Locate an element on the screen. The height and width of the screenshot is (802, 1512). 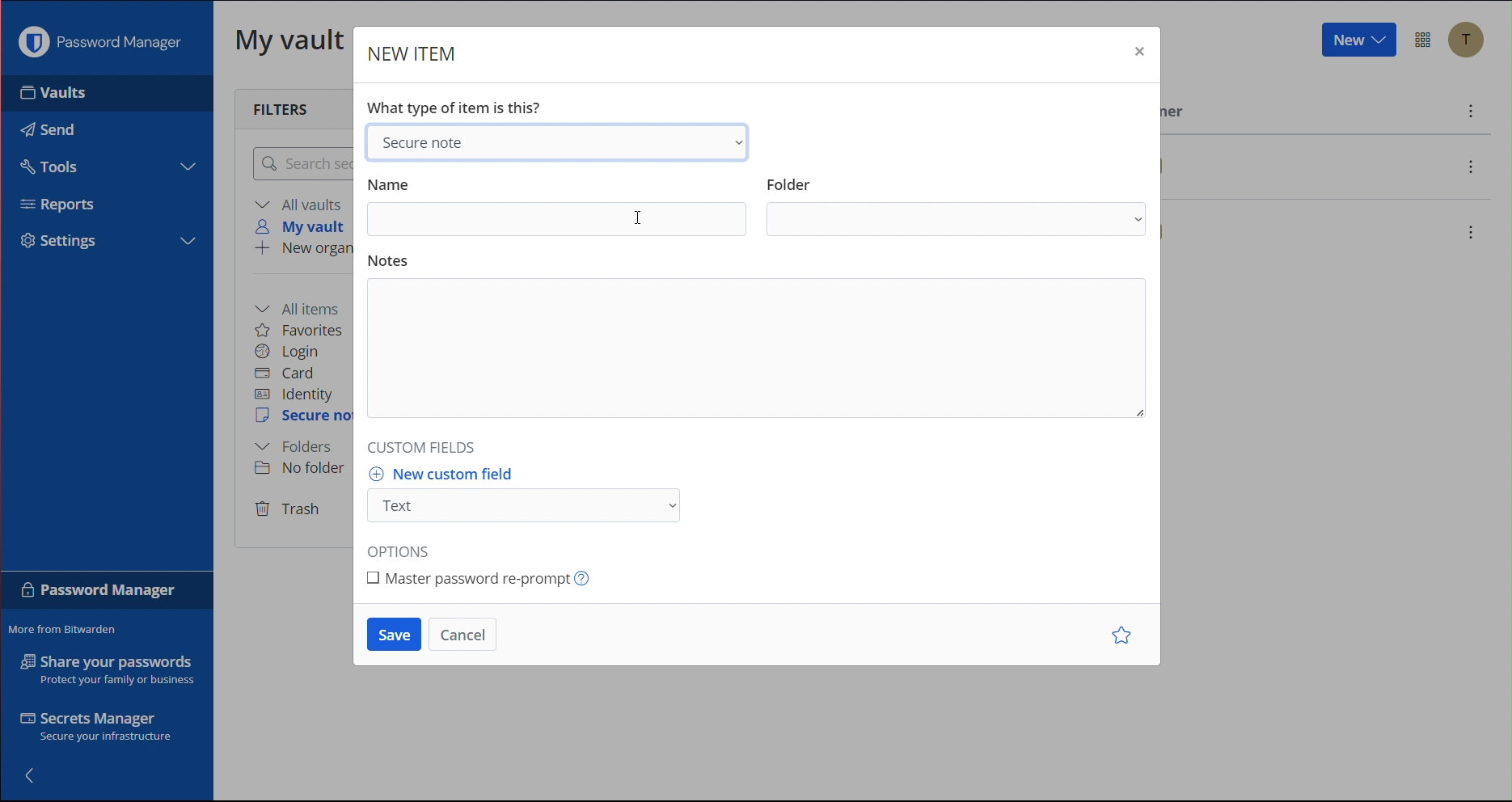
Favorites is located at coordinates (310, 329).